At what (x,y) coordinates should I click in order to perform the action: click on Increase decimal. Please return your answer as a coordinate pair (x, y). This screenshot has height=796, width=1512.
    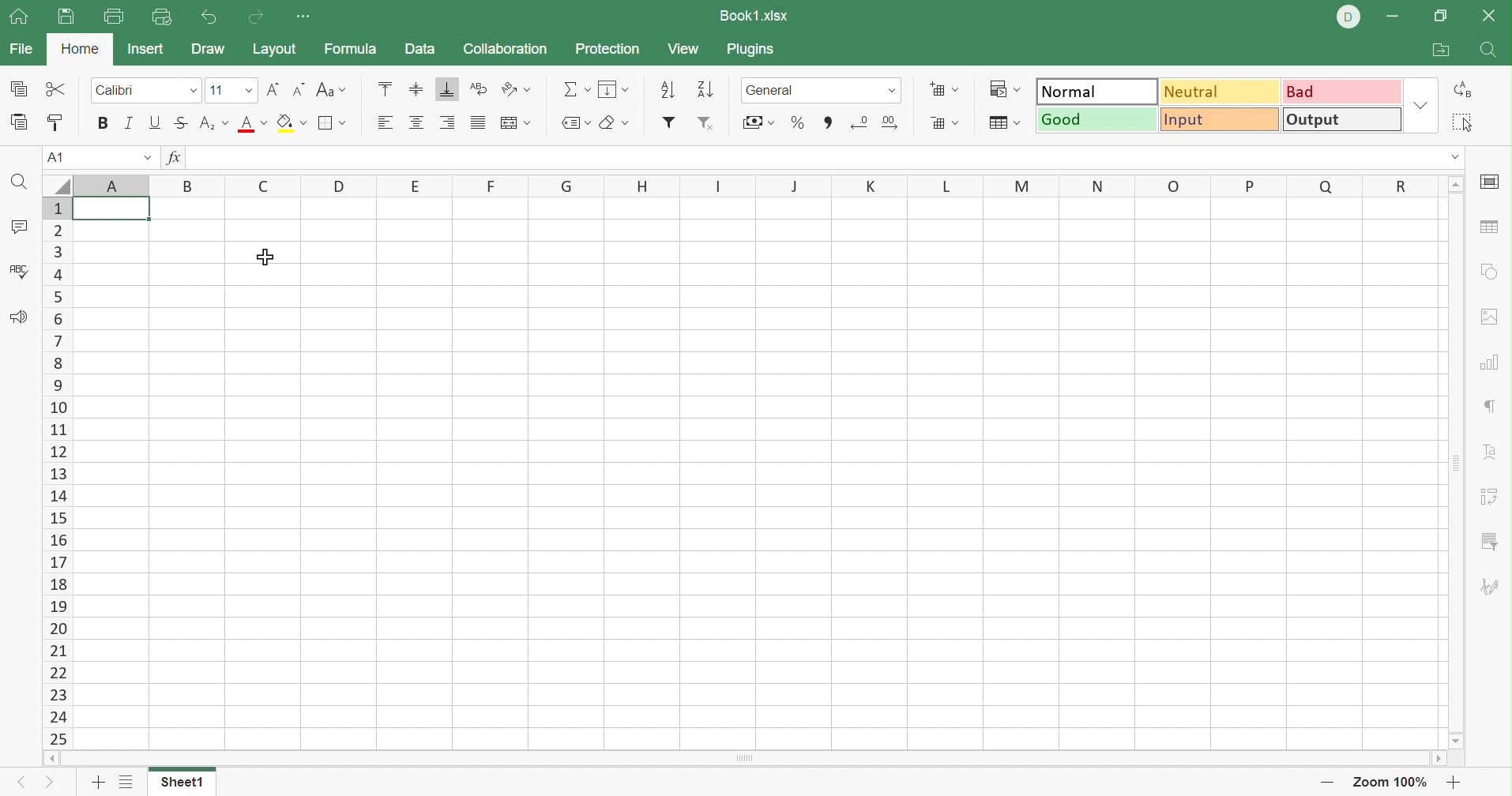
    Looking at the image, I should click on (892, 123).